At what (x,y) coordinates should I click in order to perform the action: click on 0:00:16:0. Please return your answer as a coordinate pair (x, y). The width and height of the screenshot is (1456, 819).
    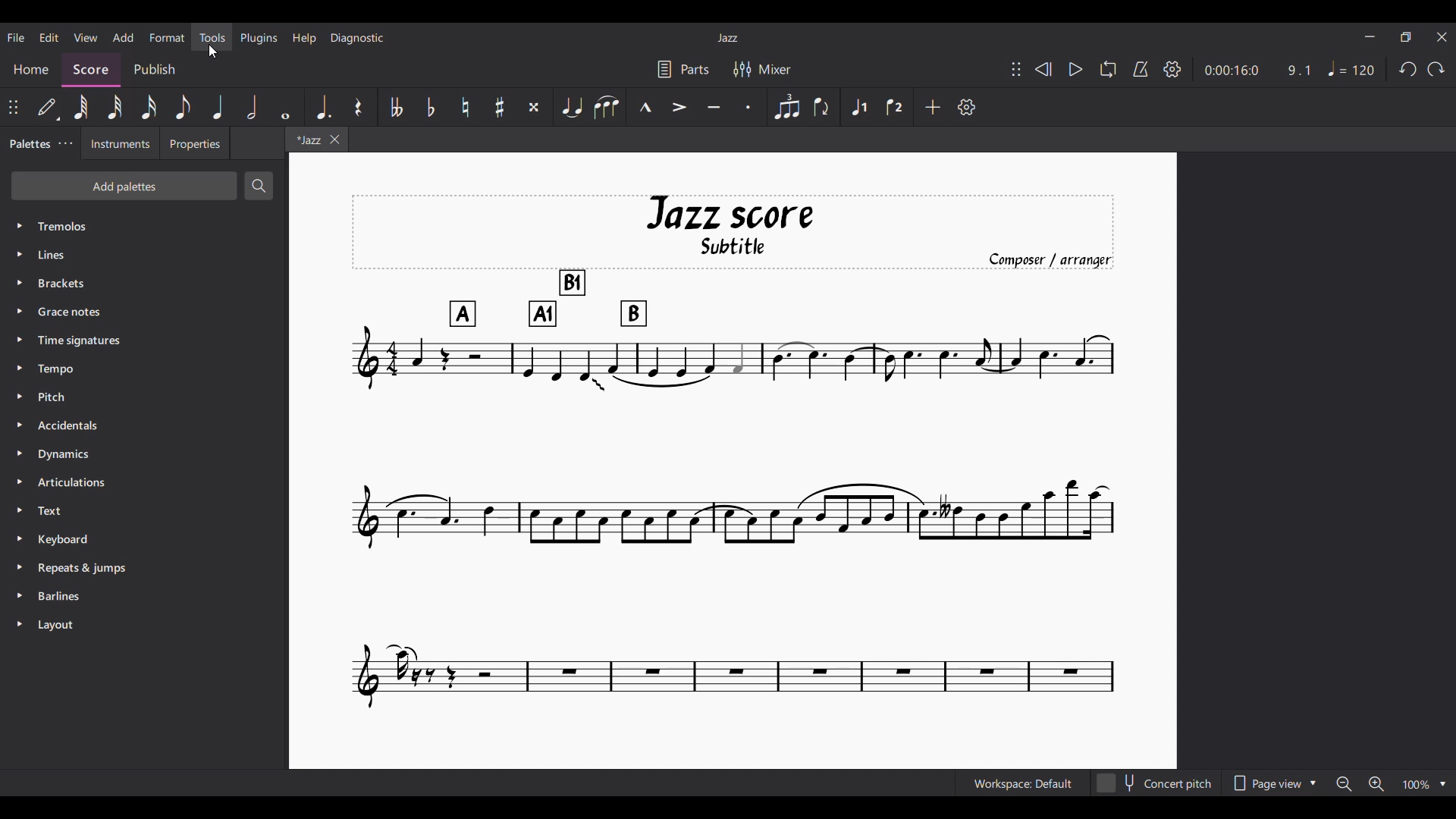
    Looking at the image, I should click on (1232, 71).